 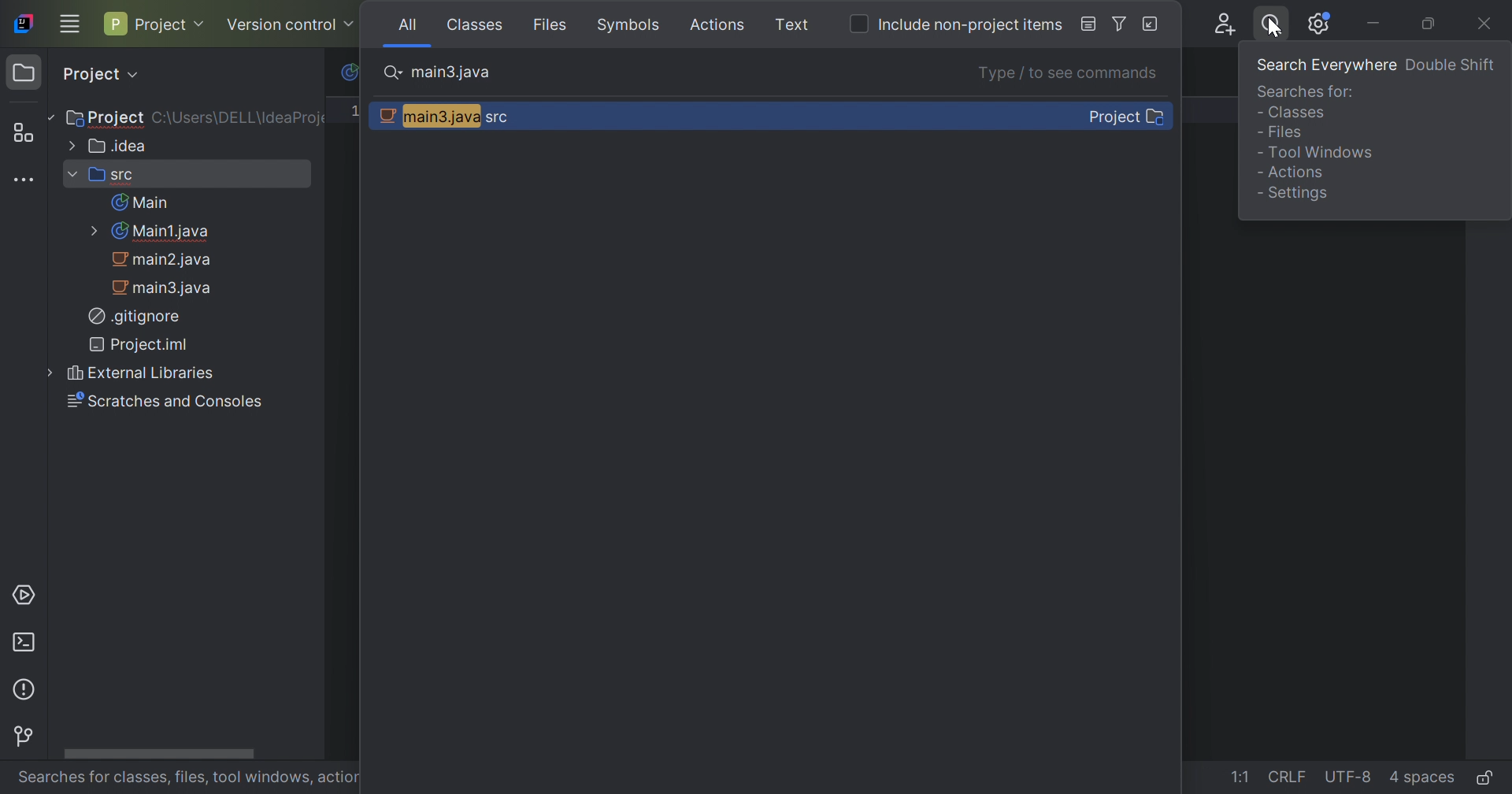 I want to click on - Classes, so click(x=1294, y=117).